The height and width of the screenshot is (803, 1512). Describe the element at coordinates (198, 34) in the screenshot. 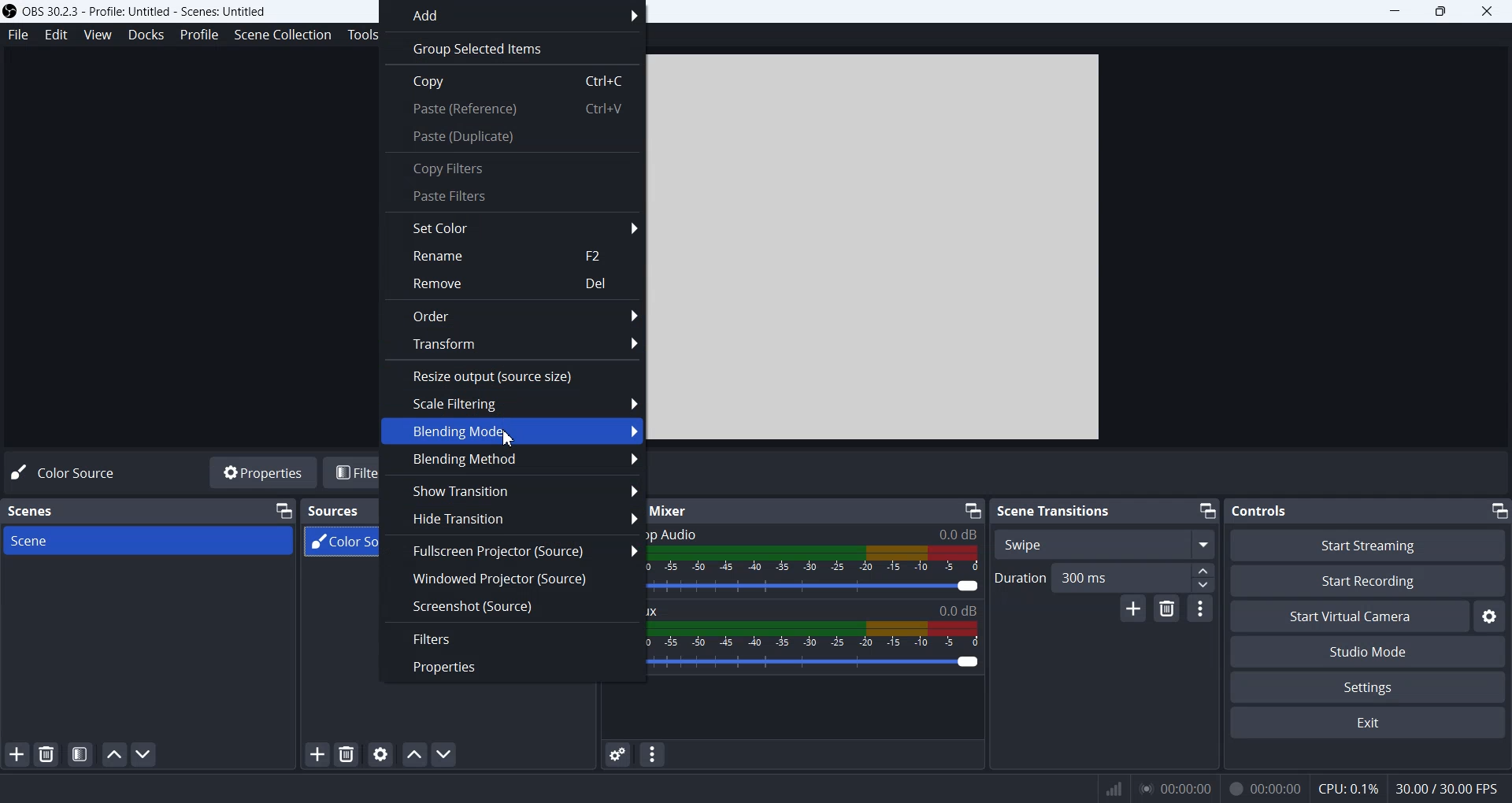

I see `Profile` at that location.